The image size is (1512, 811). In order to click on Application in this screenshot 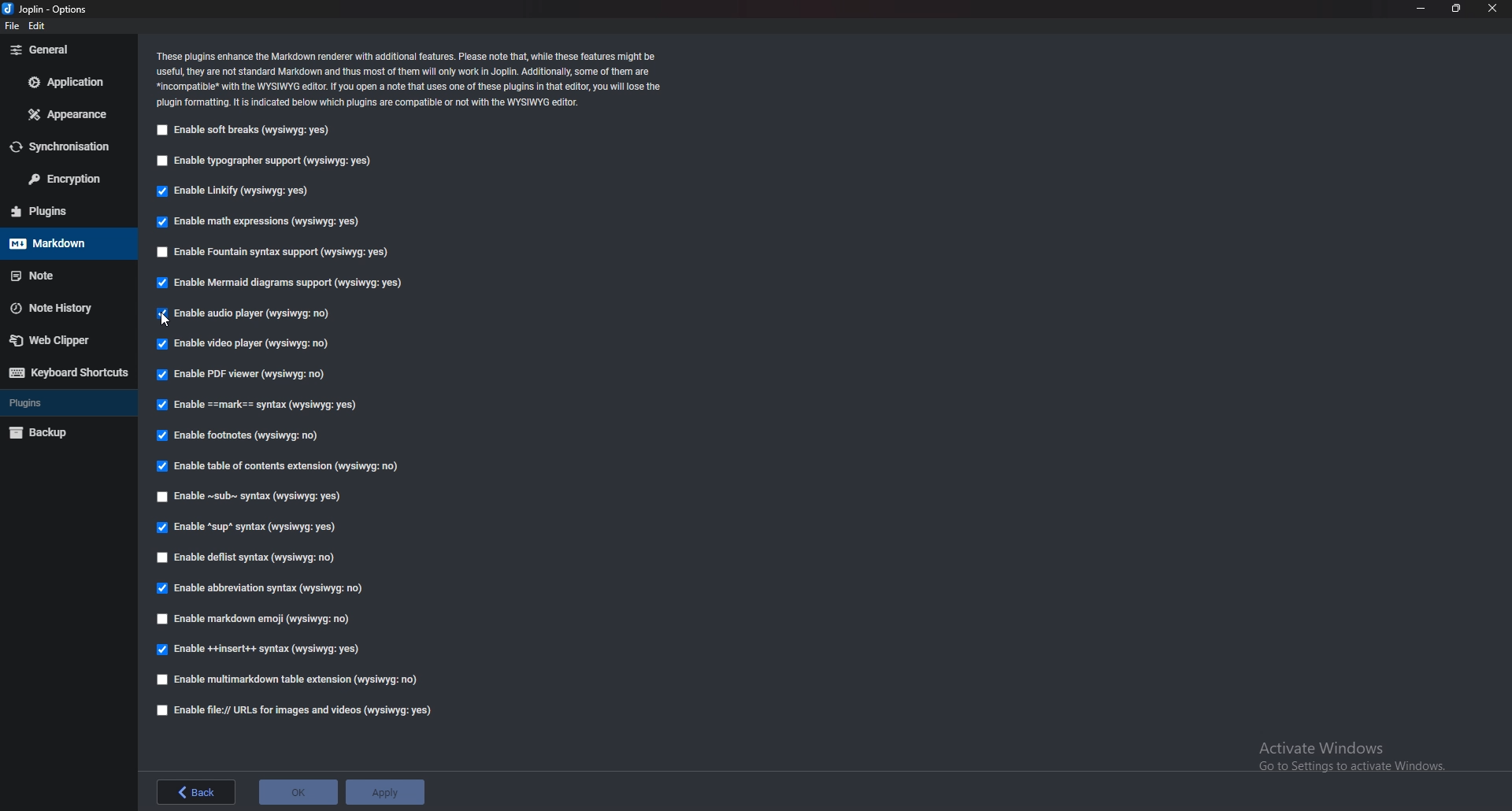, I will do `click(69, 83)`.